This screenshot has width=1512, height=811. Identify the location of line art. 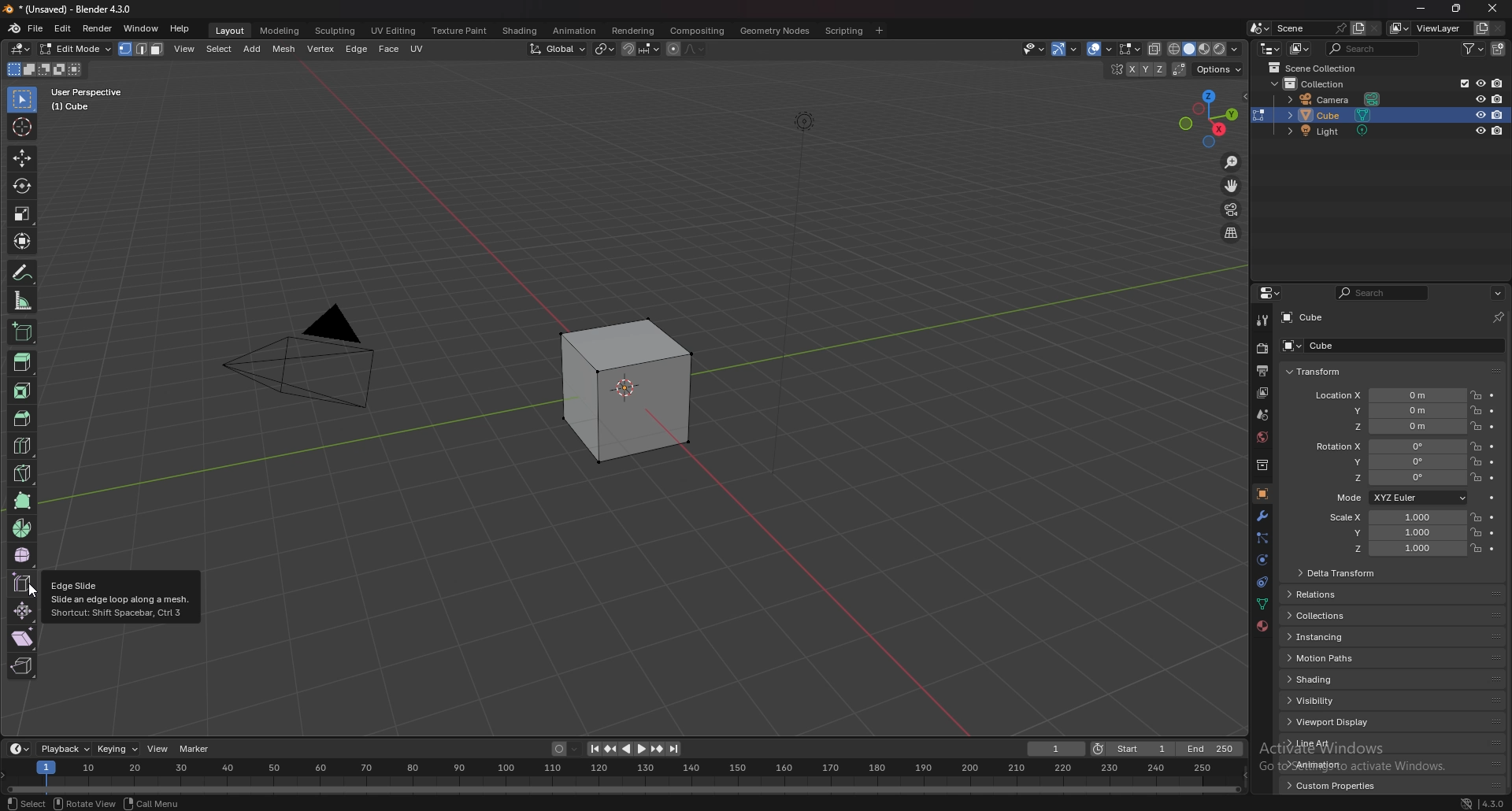
(1327, 744).